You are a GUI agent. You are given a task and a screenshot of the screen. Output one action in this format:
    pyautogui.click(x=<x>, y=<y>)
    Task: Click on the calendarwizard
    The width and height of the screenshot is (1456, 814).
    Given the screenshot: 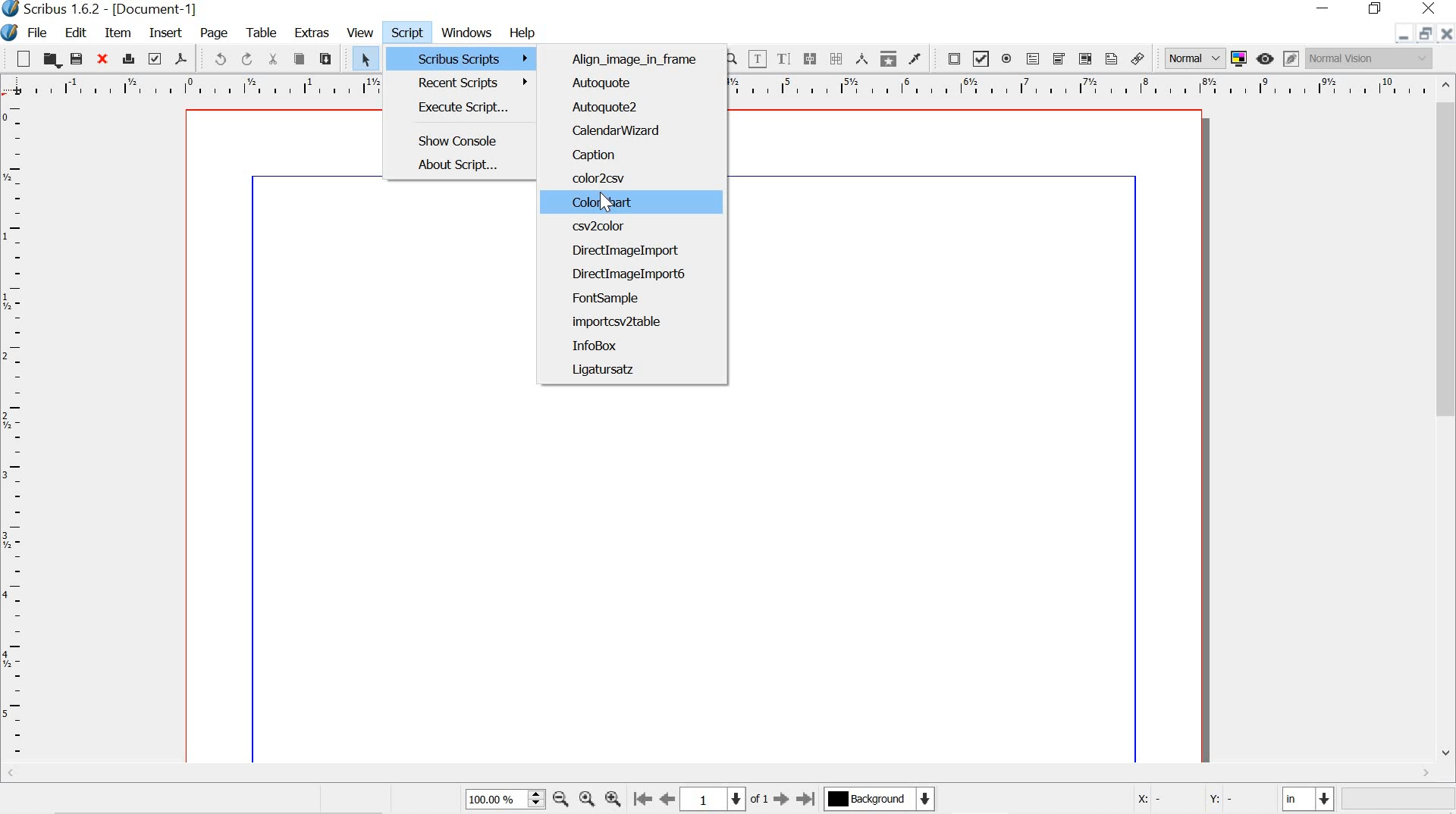 What is the action you would take?
    pyautogui.click(x=637, y=129)
    